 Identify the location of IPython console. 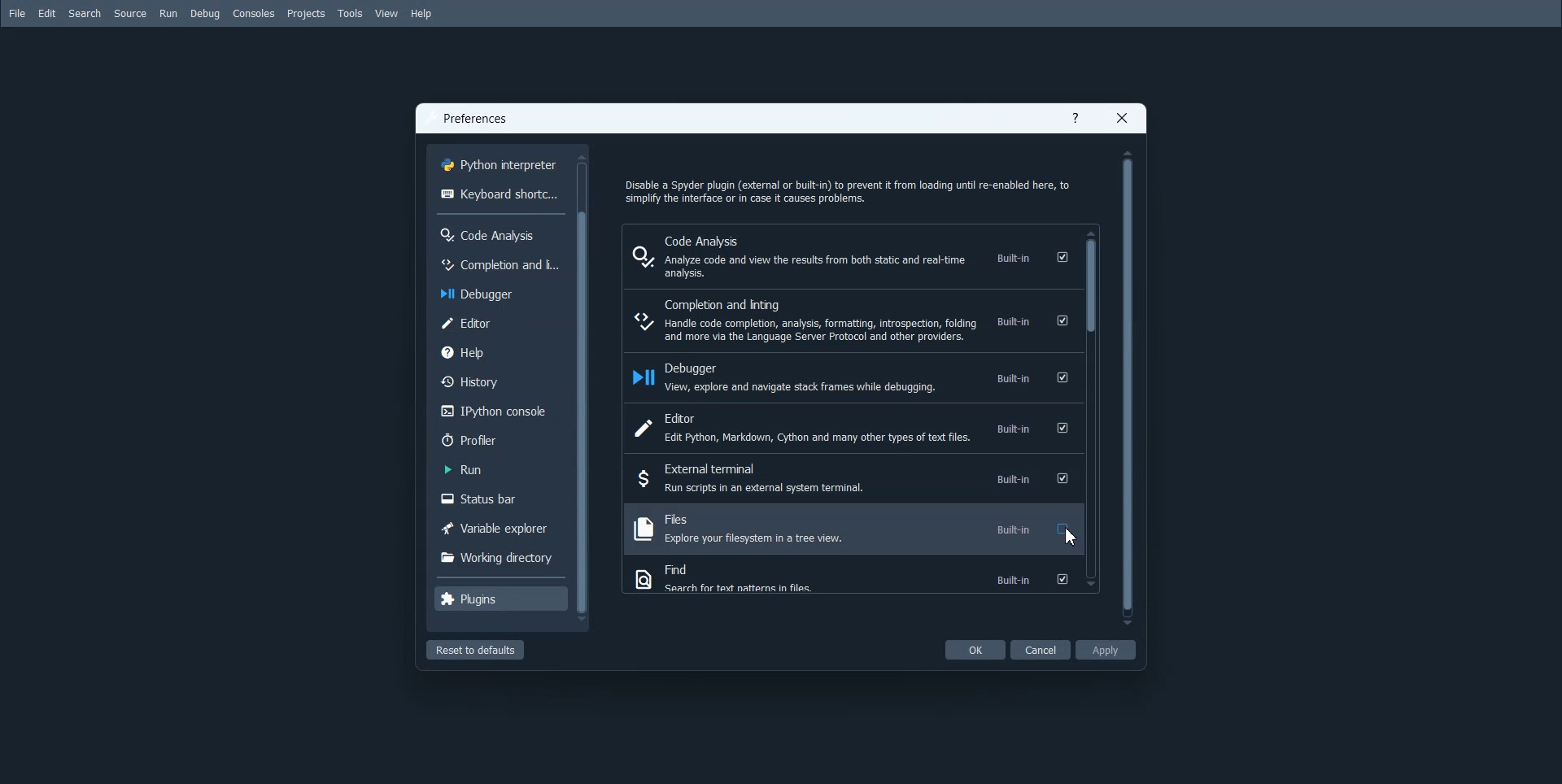
(499, 411).